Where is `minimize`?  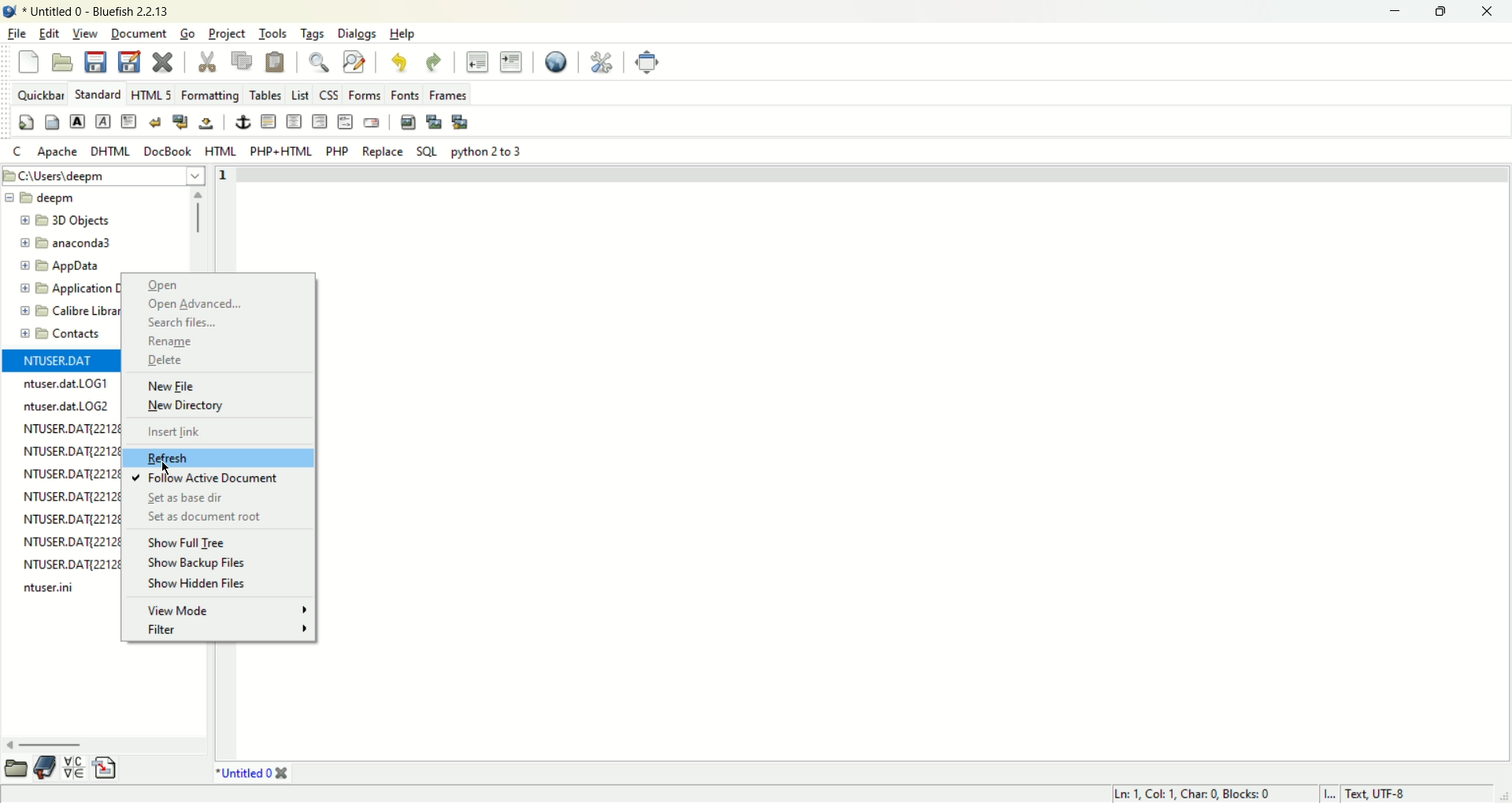
minimize is located at coordinates (1399, 9).